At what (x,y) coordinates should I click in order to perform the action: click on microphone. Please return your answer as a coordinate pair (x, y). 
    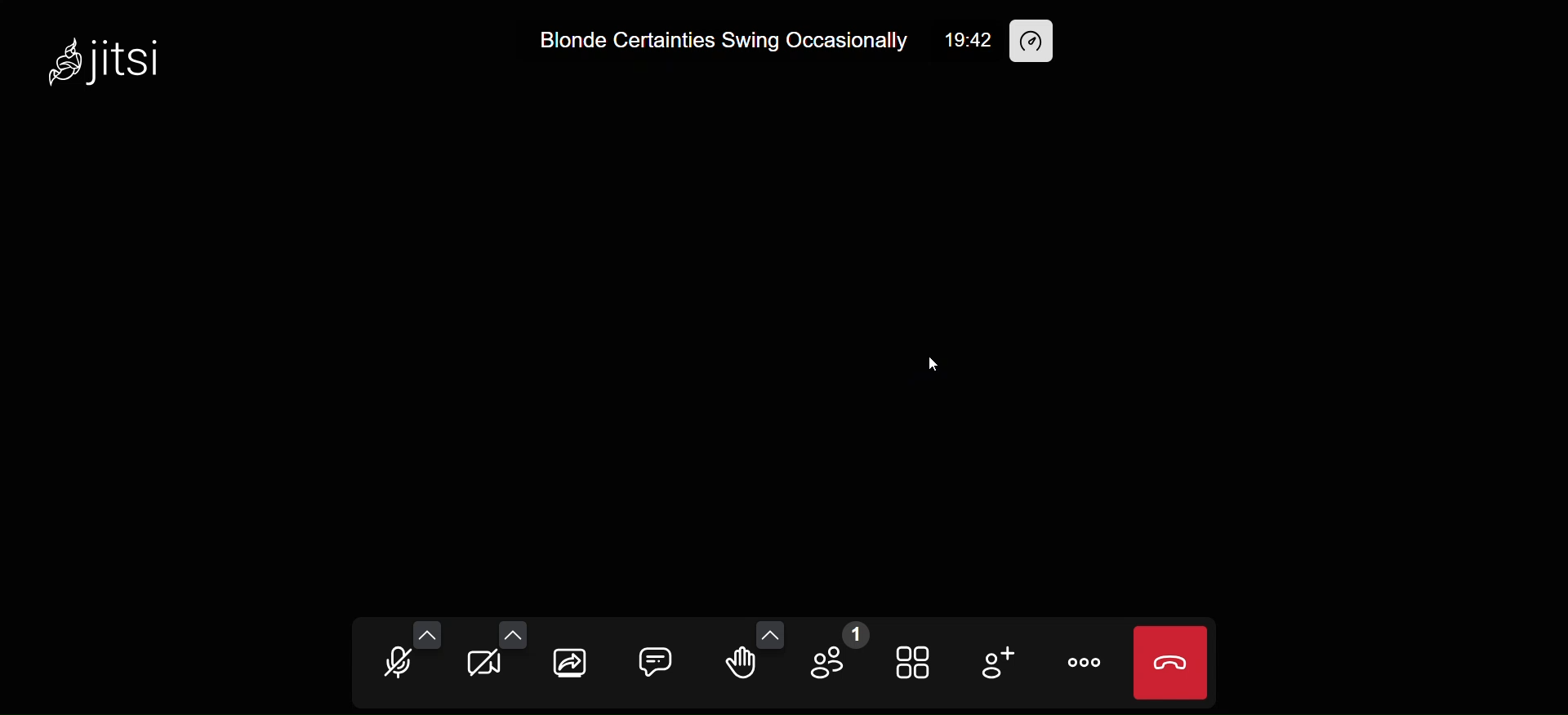
    Looking at the image, I should click on (396, 660).